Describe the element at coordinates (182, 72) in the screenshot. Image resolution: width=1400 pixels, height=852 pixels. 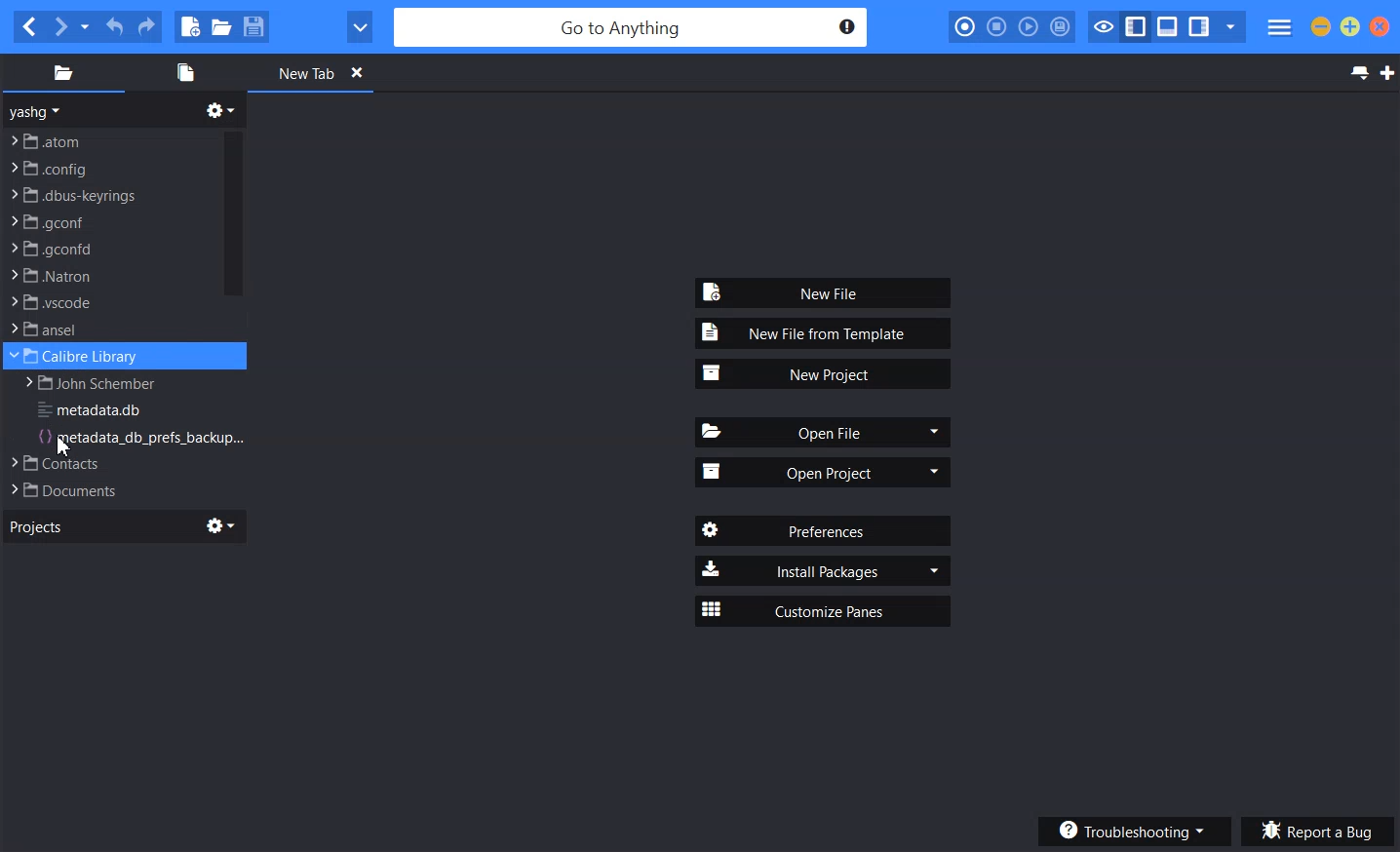
I see `Open files` at that location.